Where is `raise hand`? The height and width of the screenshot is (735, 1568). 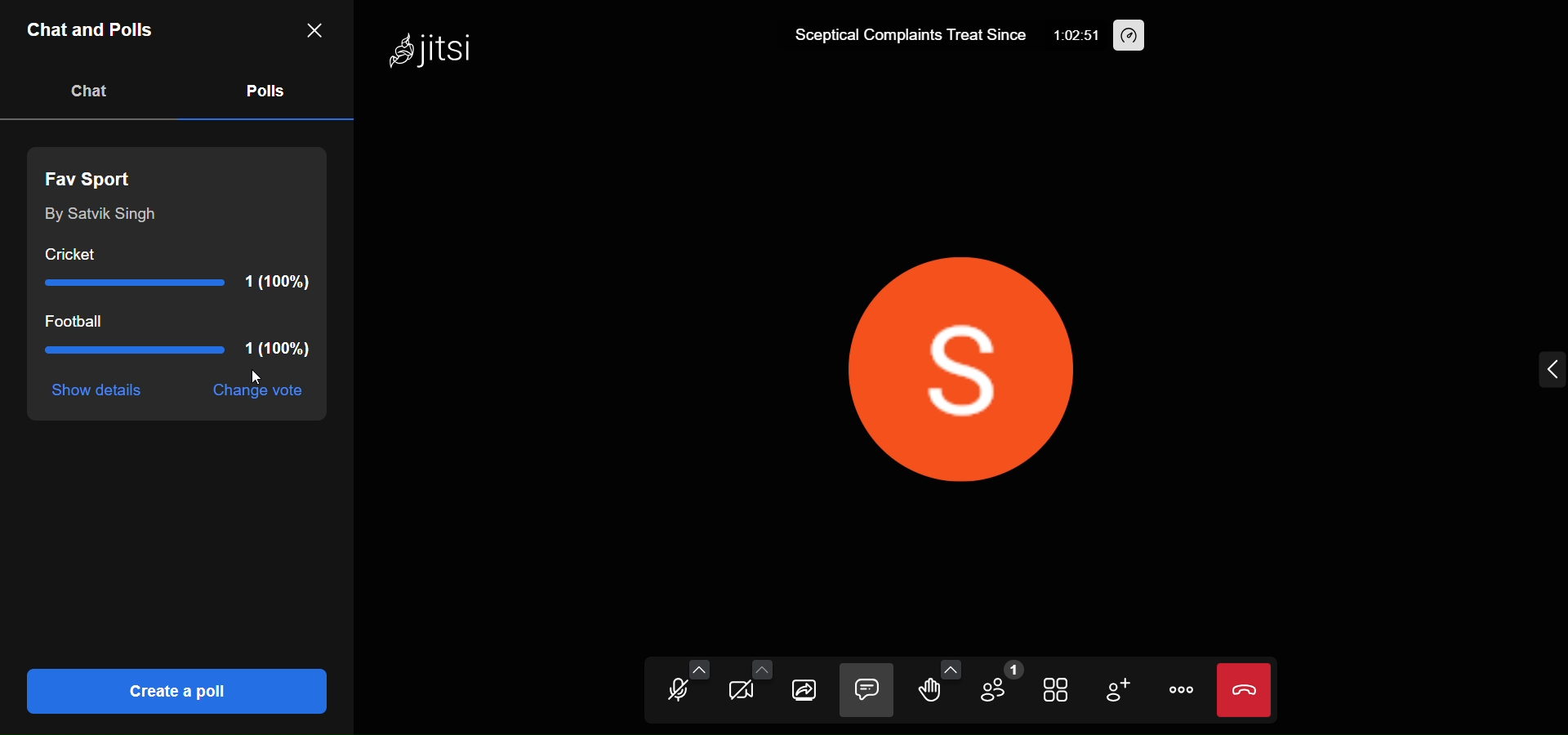
raise hand is located at coordinates (926, 693).